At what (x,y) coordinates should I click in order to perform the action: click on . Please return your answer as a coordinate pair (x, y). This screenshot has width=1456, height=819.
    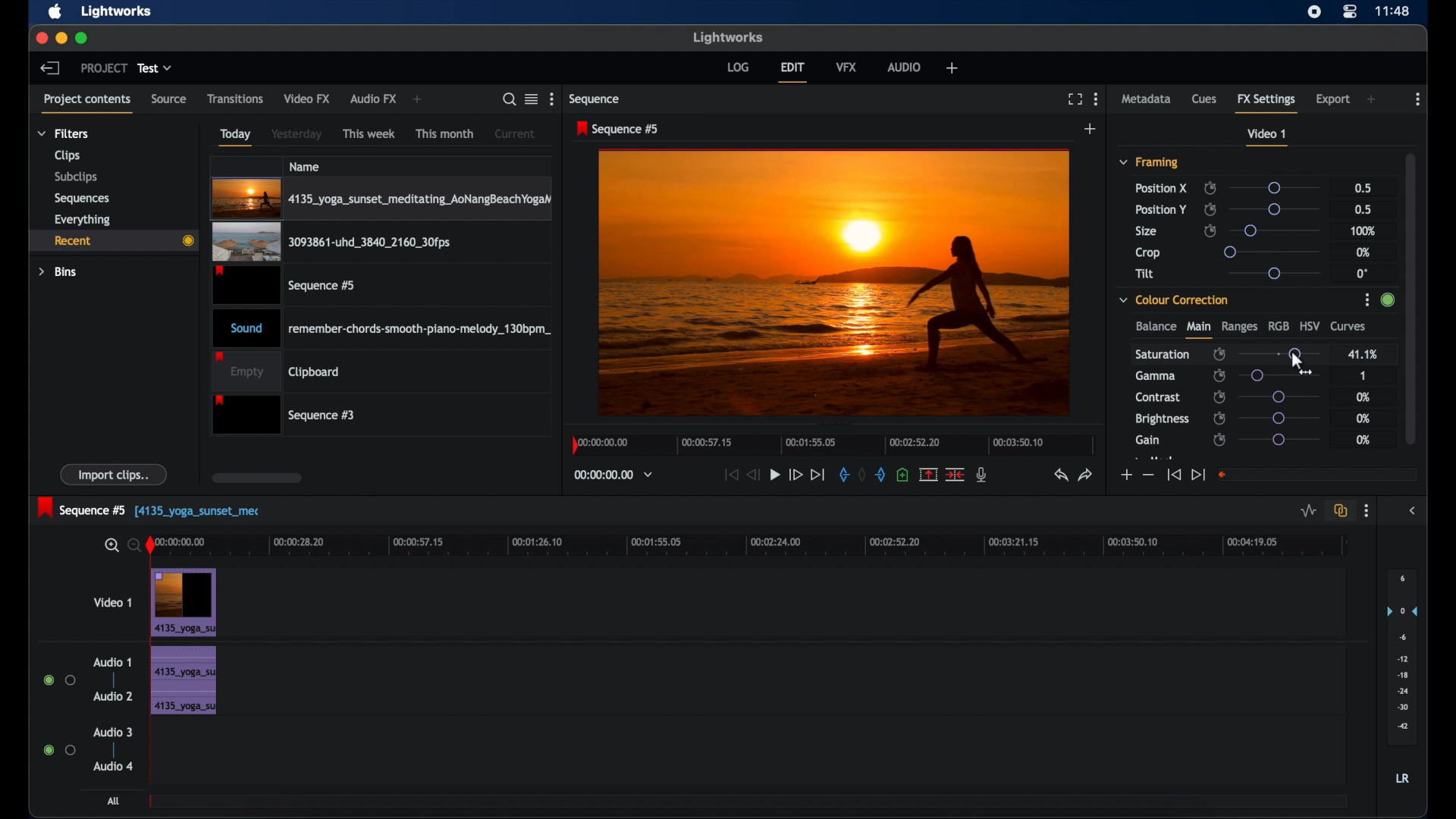
    Looking at the image, I should click on (1200, 330).